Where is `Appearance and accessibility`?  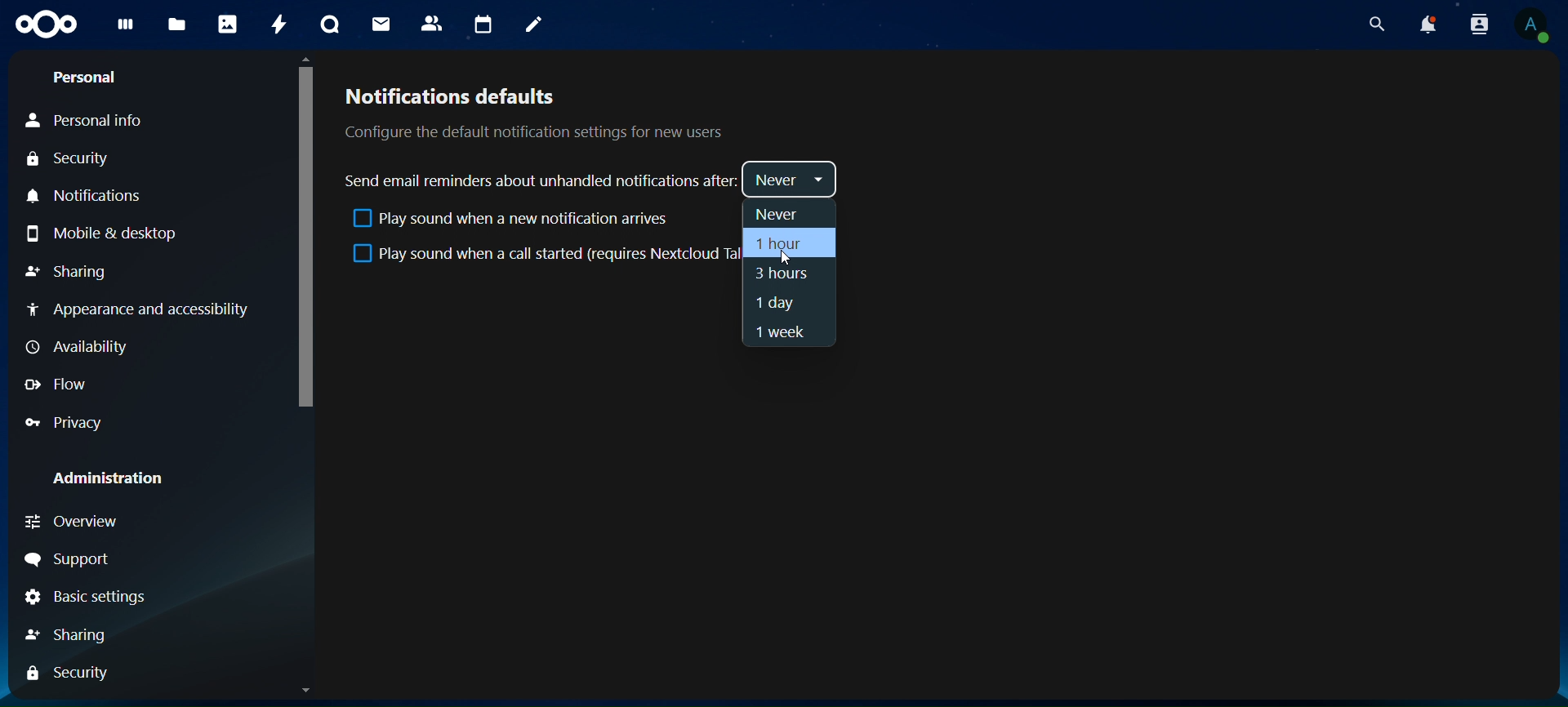
Appearance and accessibility is located at coordinates (147, 313).